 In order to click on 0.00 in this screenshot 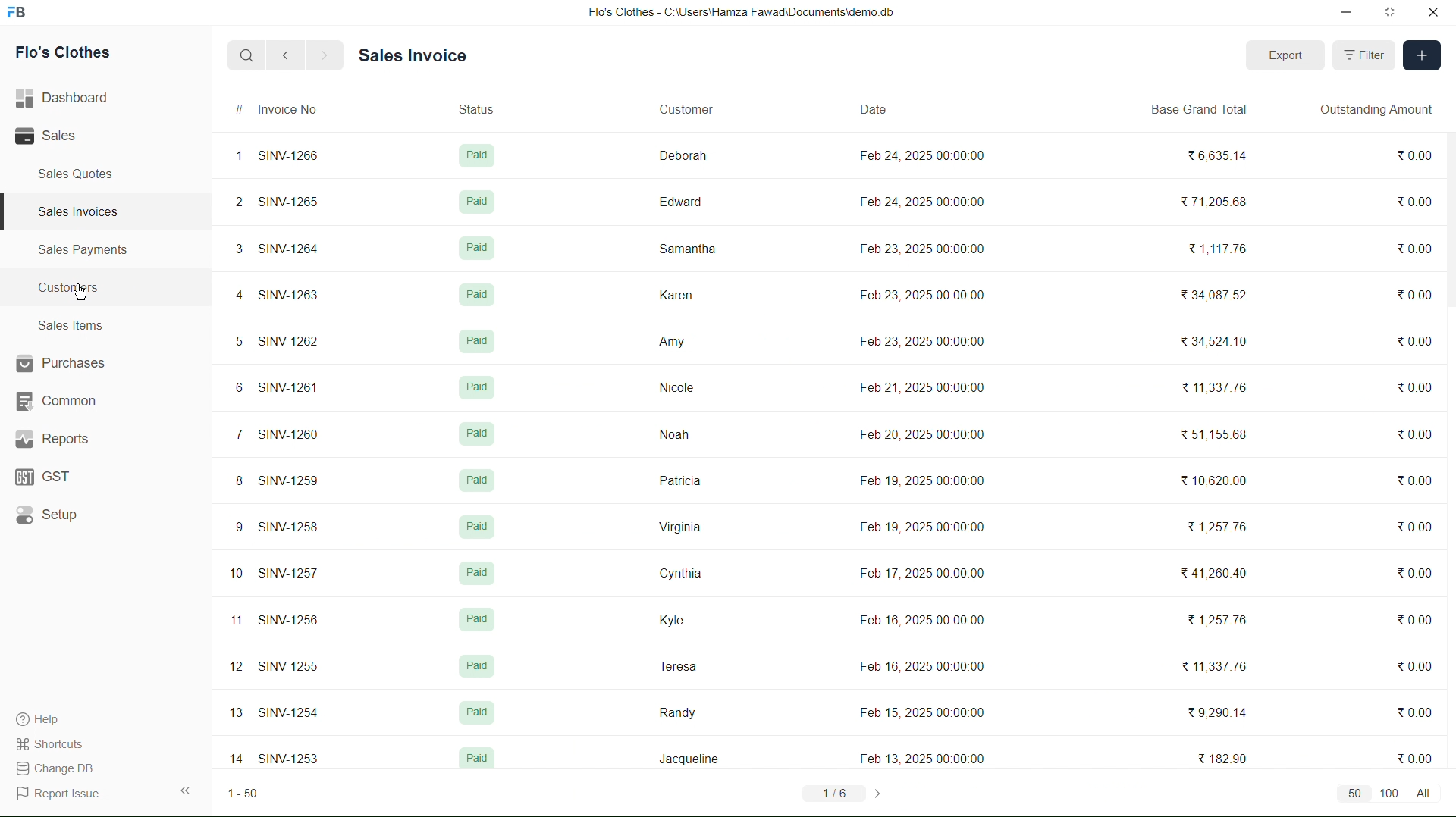, I will do `click(1417, 570)`.